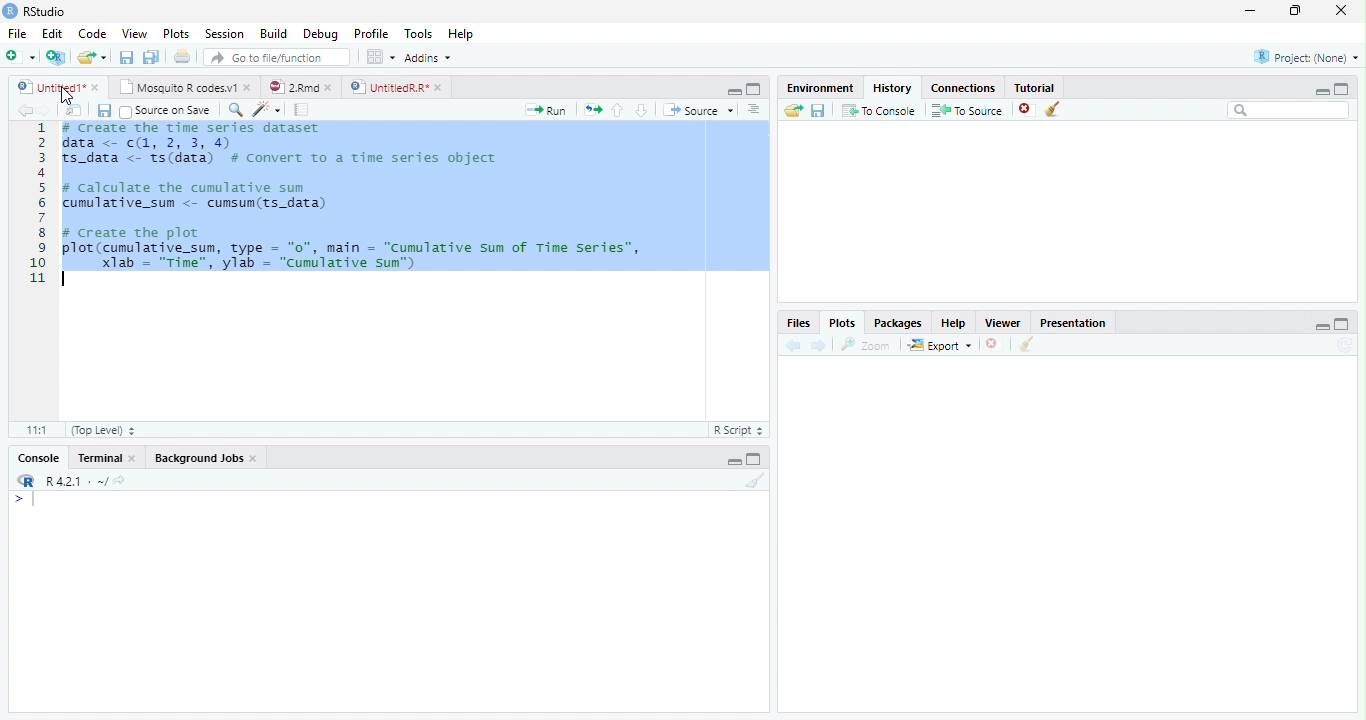  I want to click on 1:1, so click(33, 429).